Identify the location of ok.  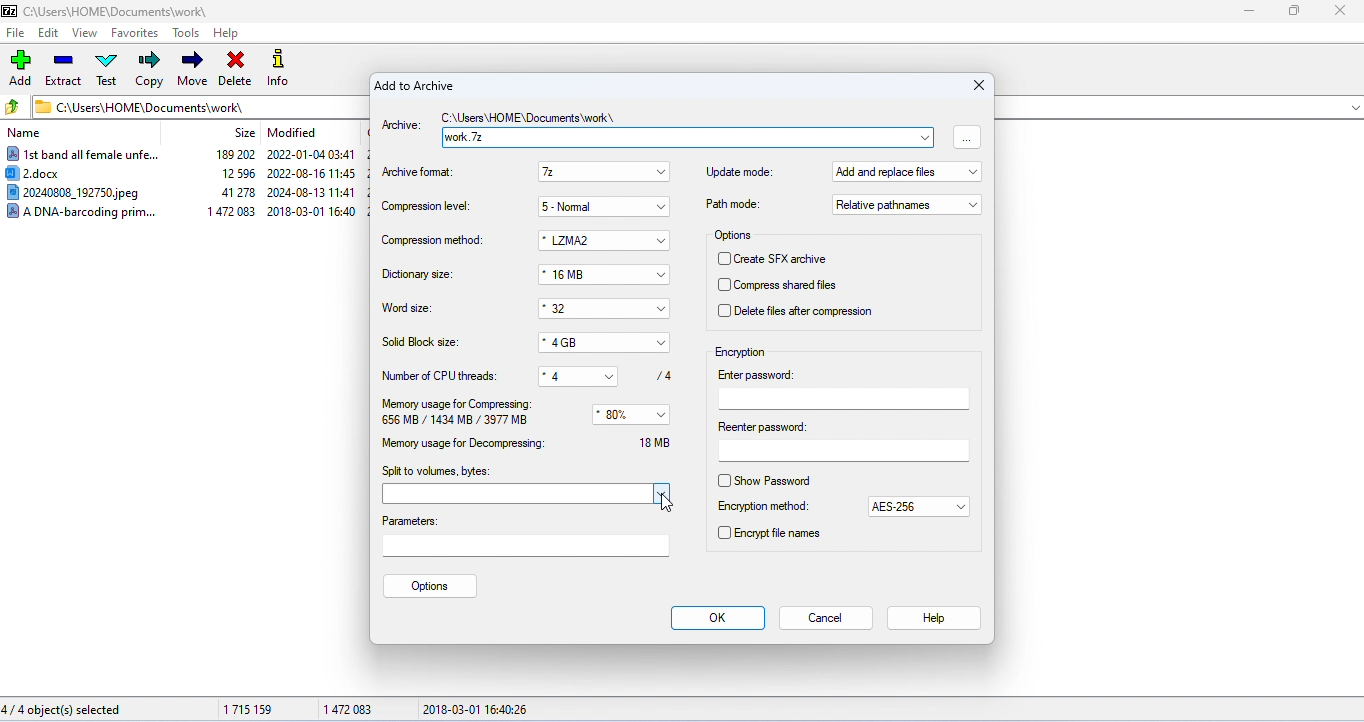
(718, 619).